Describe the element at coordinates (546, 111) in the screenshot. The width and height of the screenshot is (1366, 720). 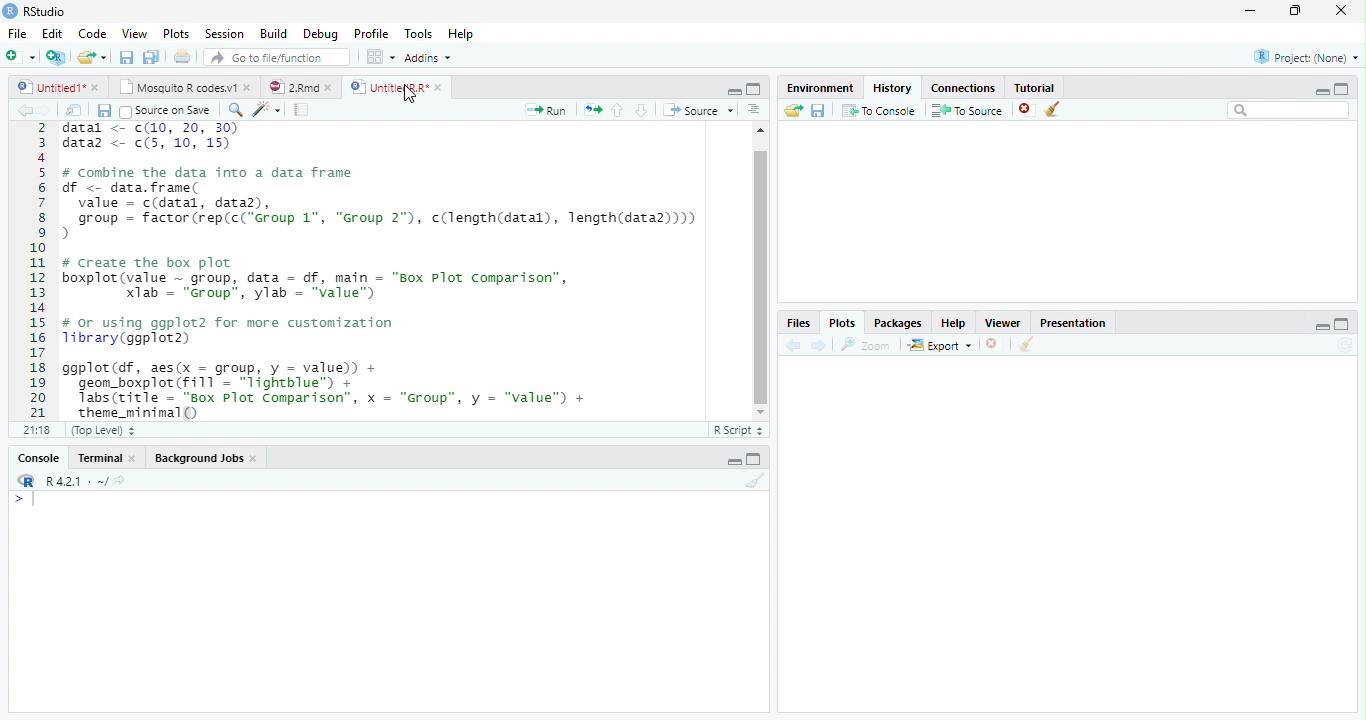
I see `Run` at that location.